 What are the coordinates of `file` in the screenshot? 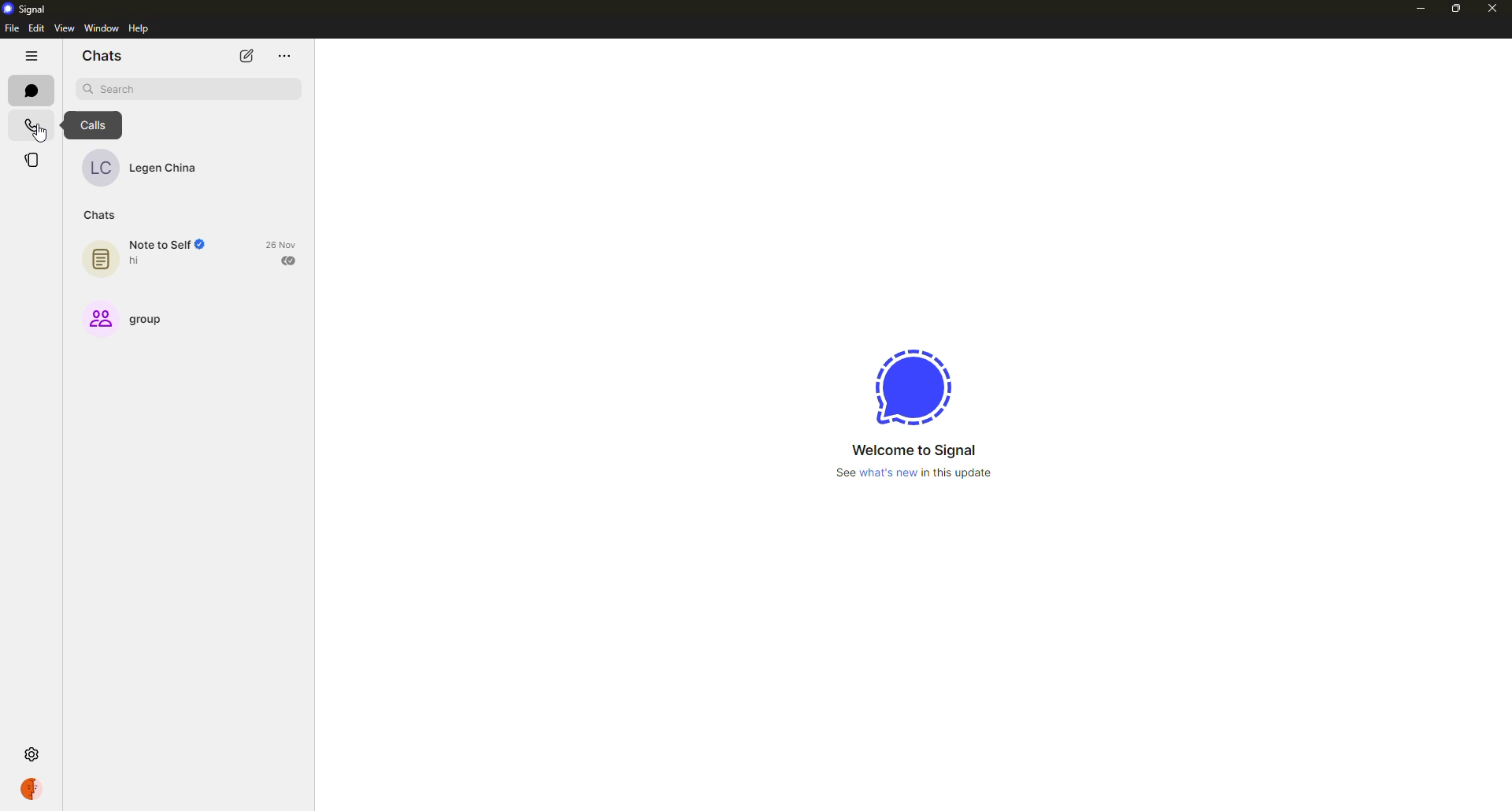 It's located at (11, 28).